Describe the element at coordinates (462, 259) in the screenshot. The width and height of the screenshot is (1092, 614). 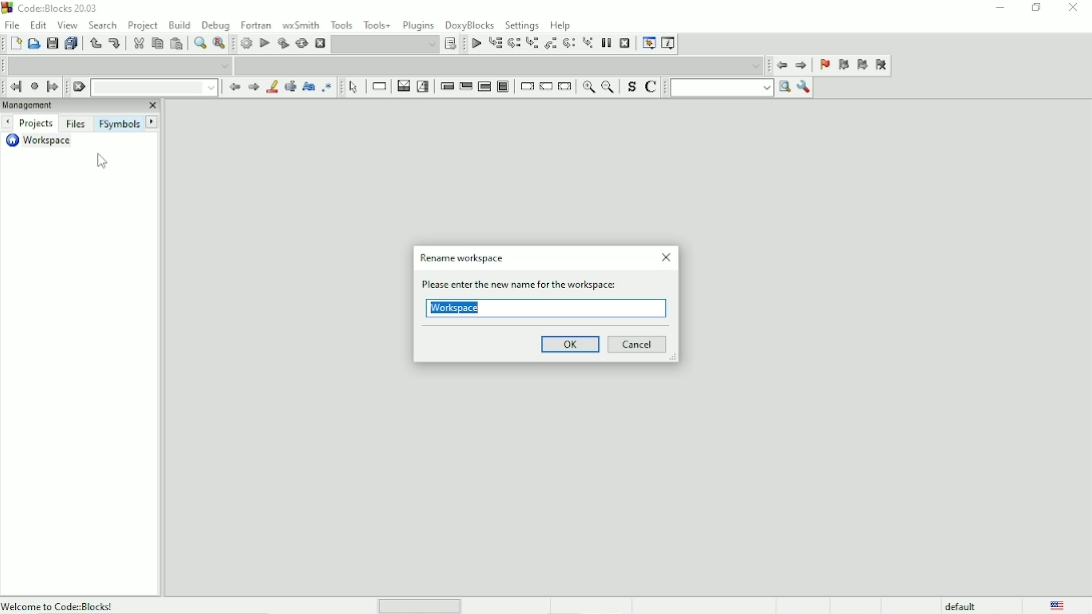
I see `Rename workspace` at that location.